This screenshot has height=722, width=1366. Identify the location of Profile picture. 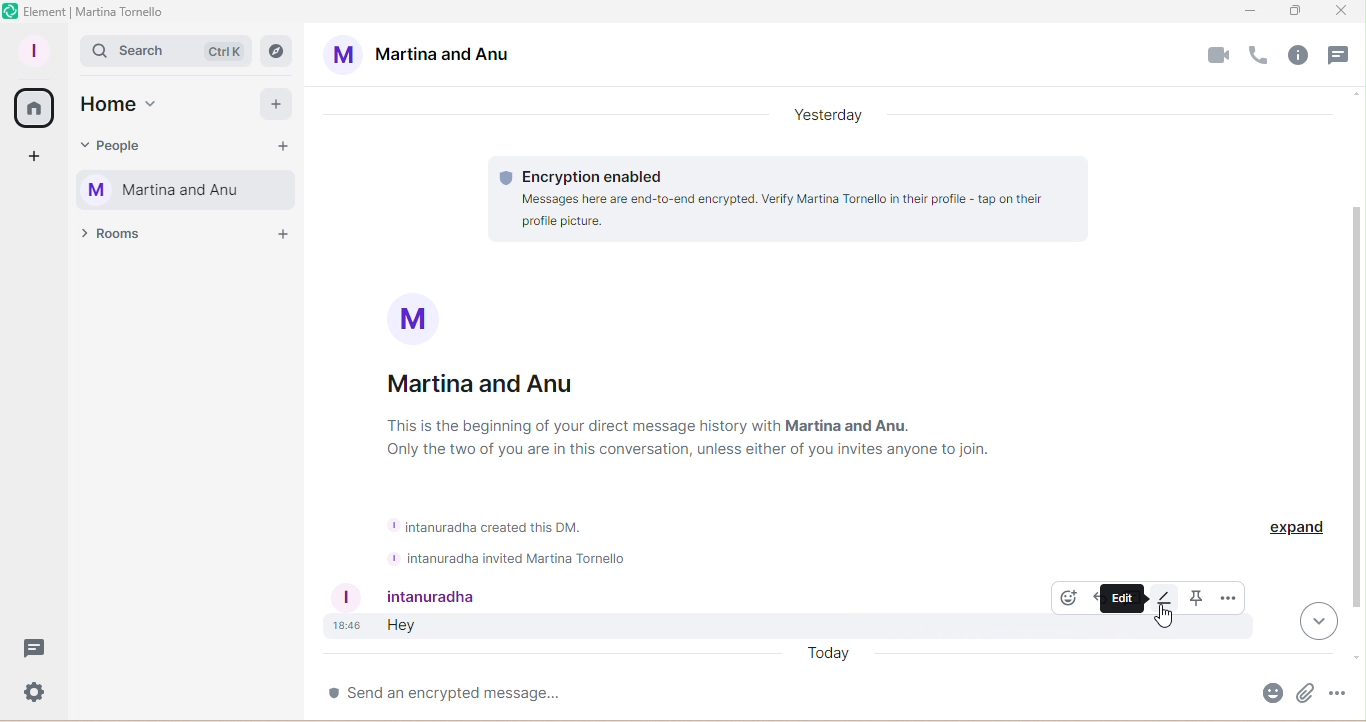
(417, 318).